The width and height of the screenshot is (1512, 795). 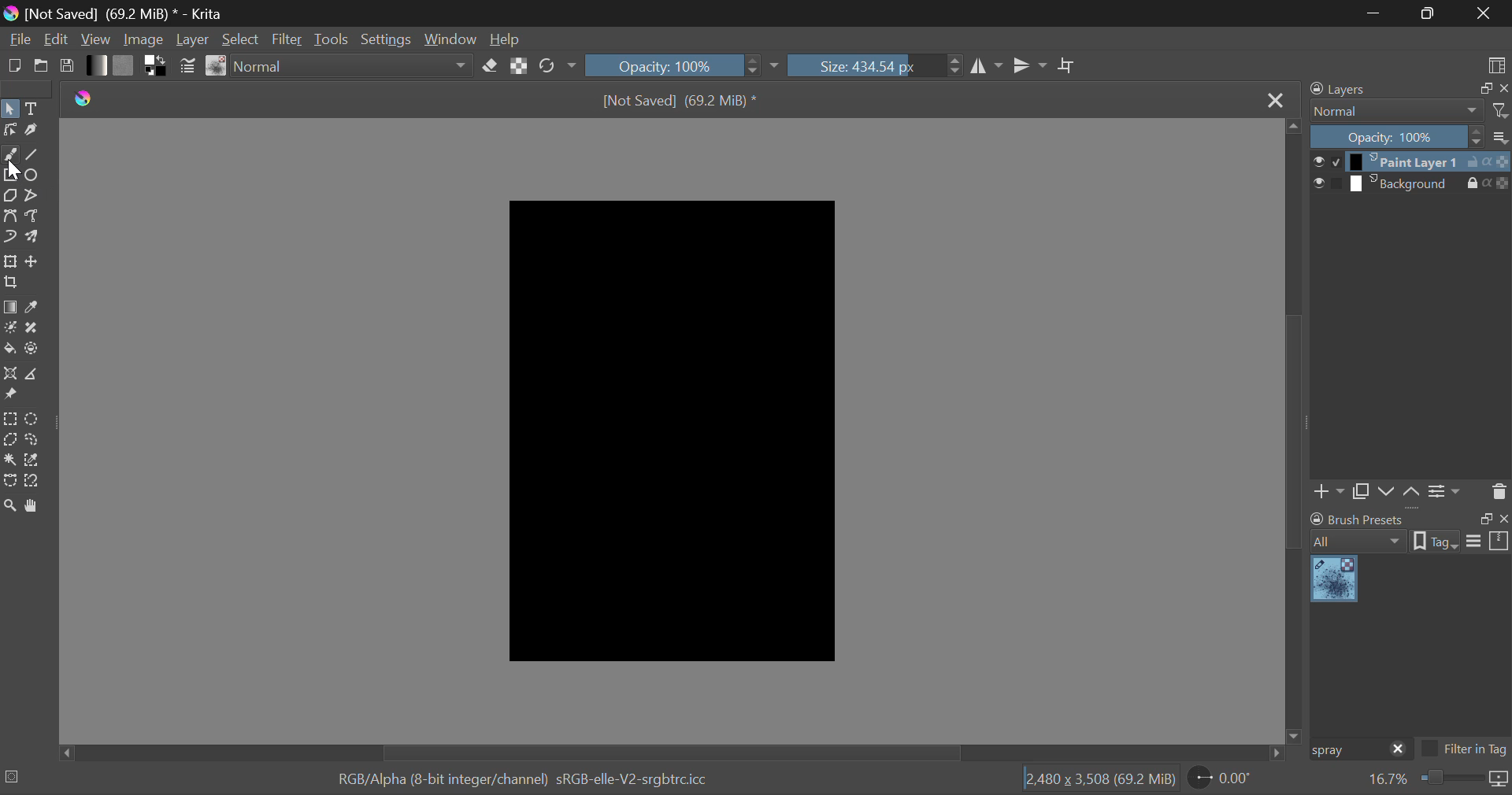 I want to click on Measurements, so click(x=30, y=375).